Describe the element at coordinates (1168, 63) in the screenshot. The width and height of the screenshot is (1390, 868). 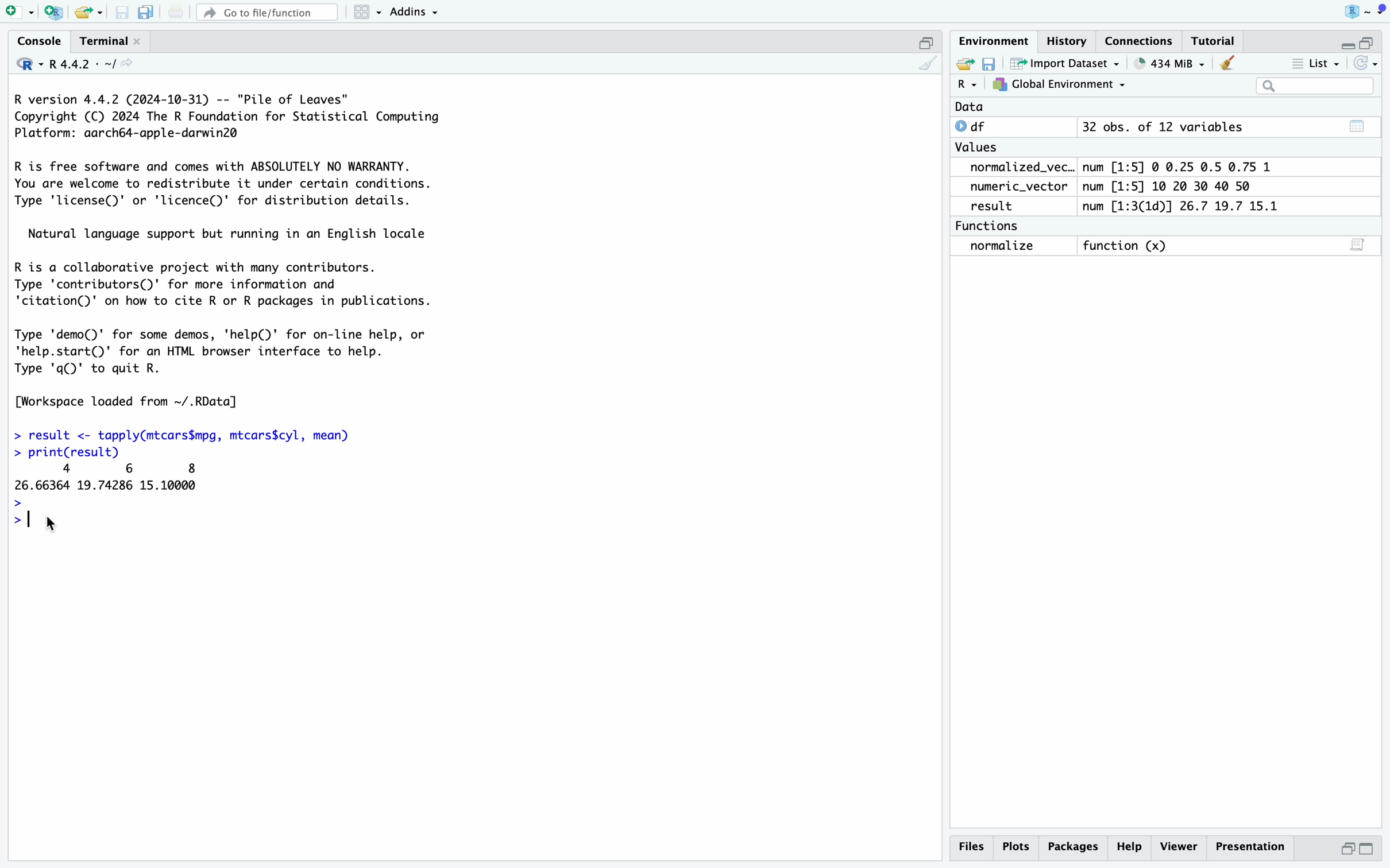
I see `434 MiB` at that location.